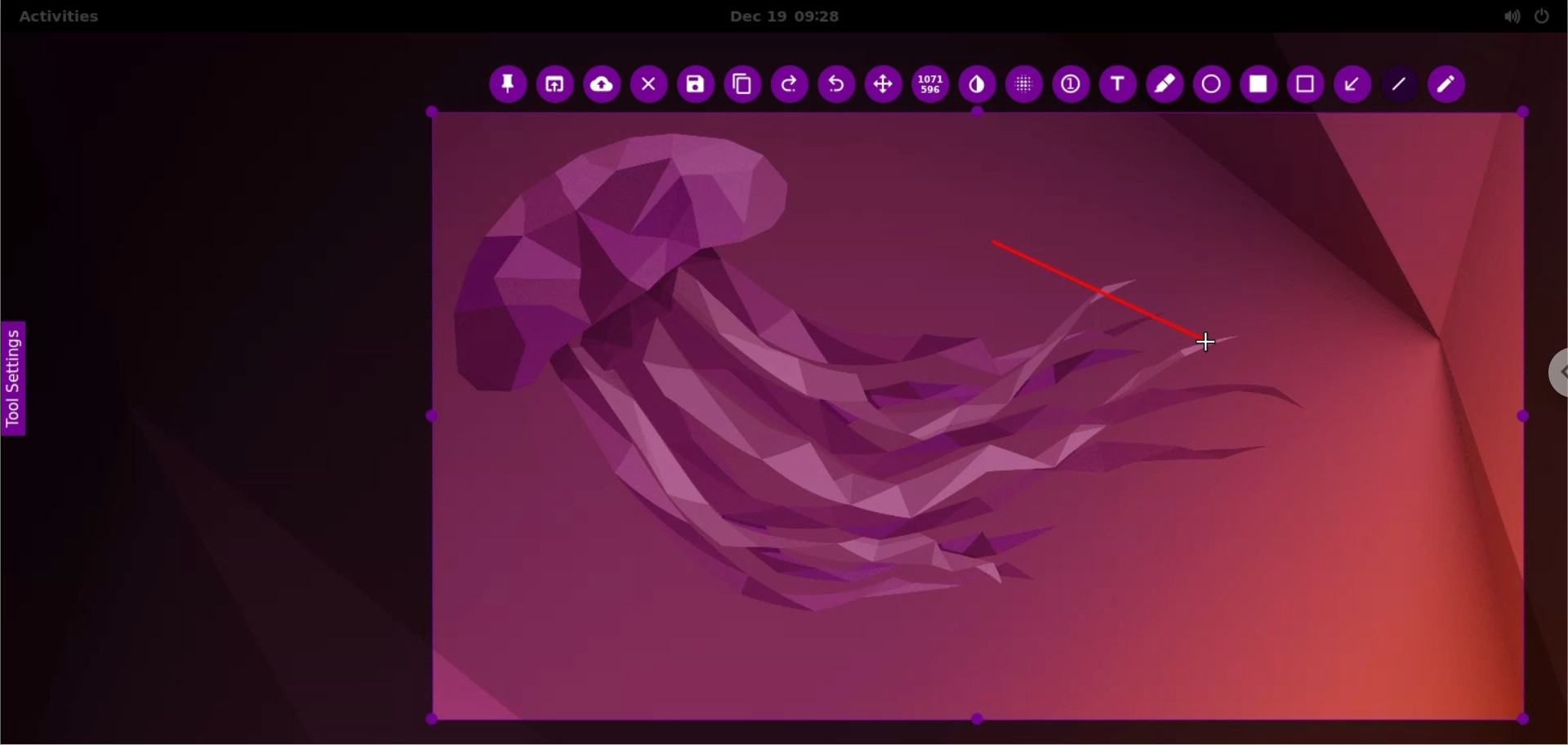  I want to click on line, so click(1090, 285).